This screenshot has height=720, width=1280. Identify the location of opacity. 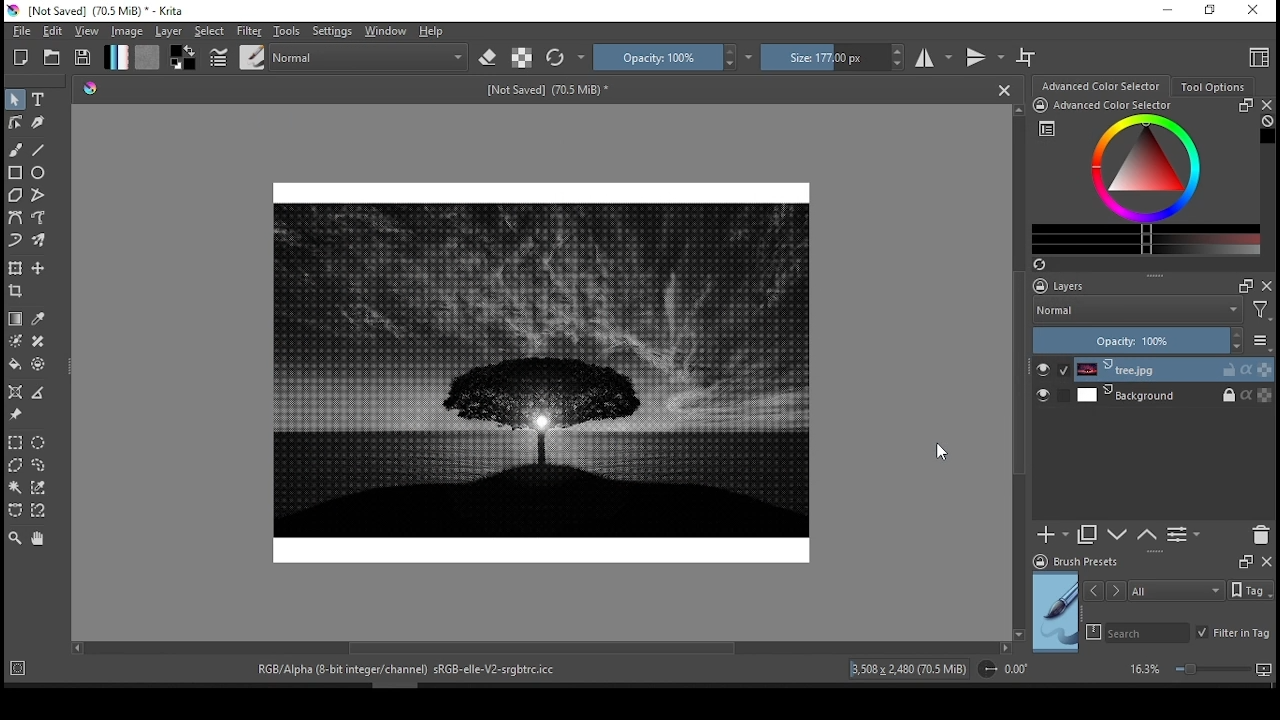
(1136, 339).